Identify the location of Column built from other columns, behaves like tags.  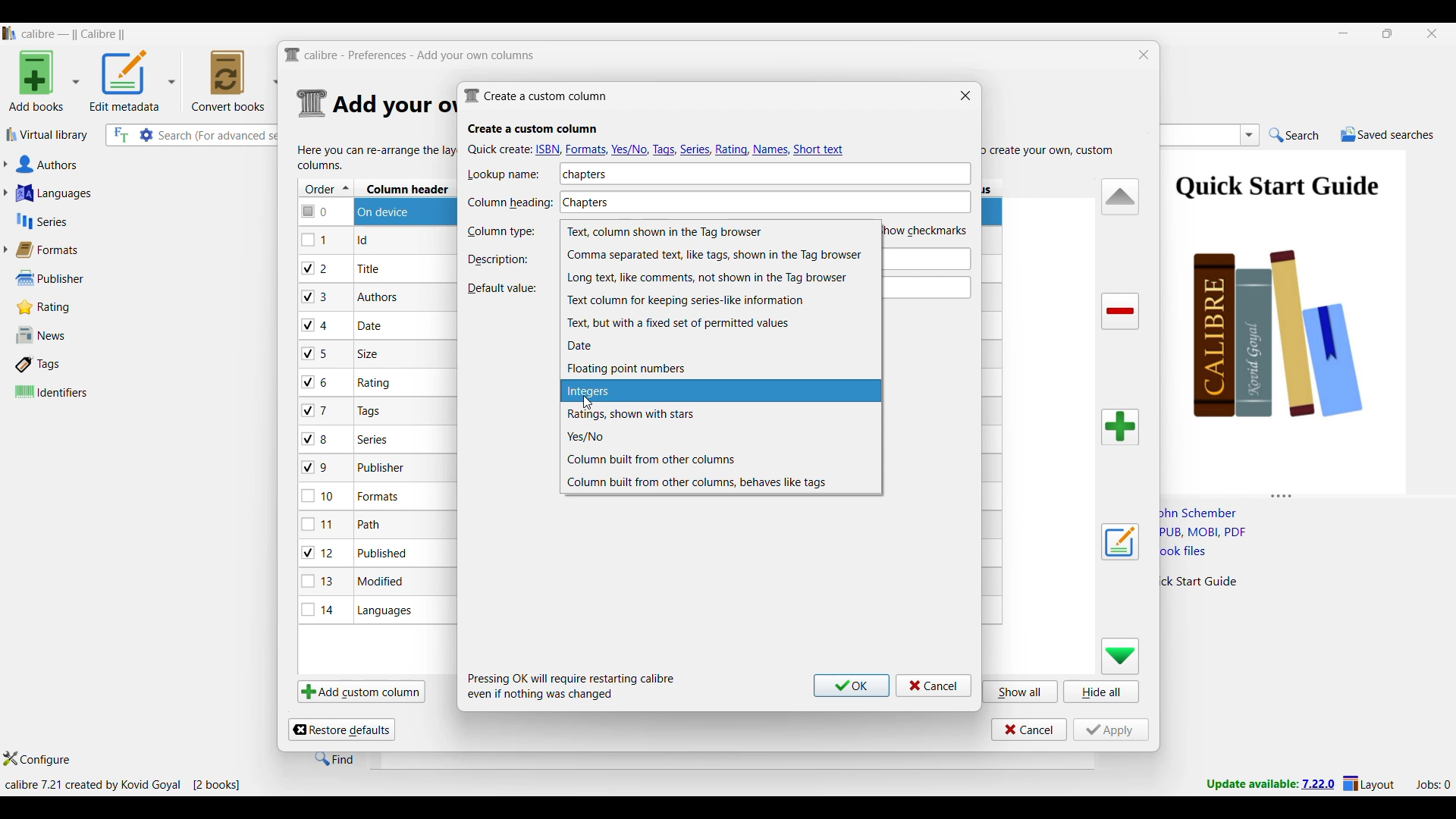
(720, 482).